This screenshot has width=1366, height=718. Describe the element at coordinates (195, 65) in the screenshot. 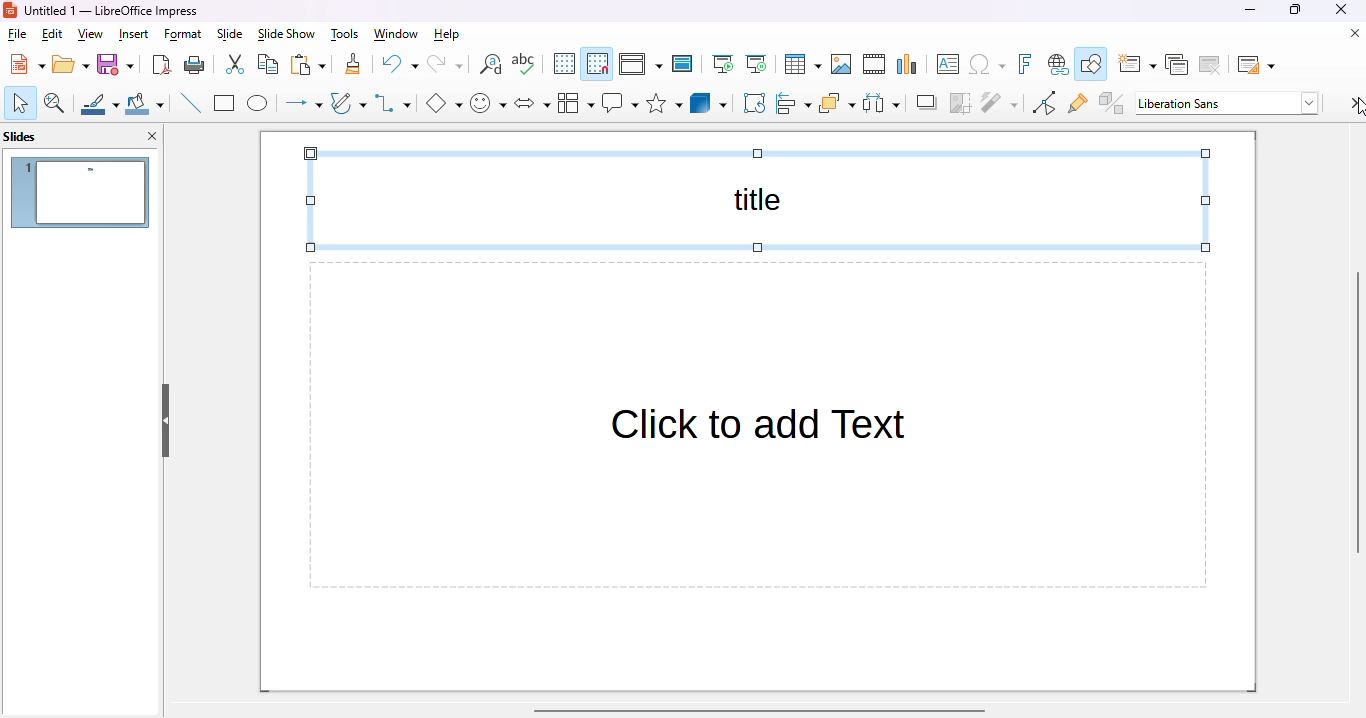

I see `print` at that location.